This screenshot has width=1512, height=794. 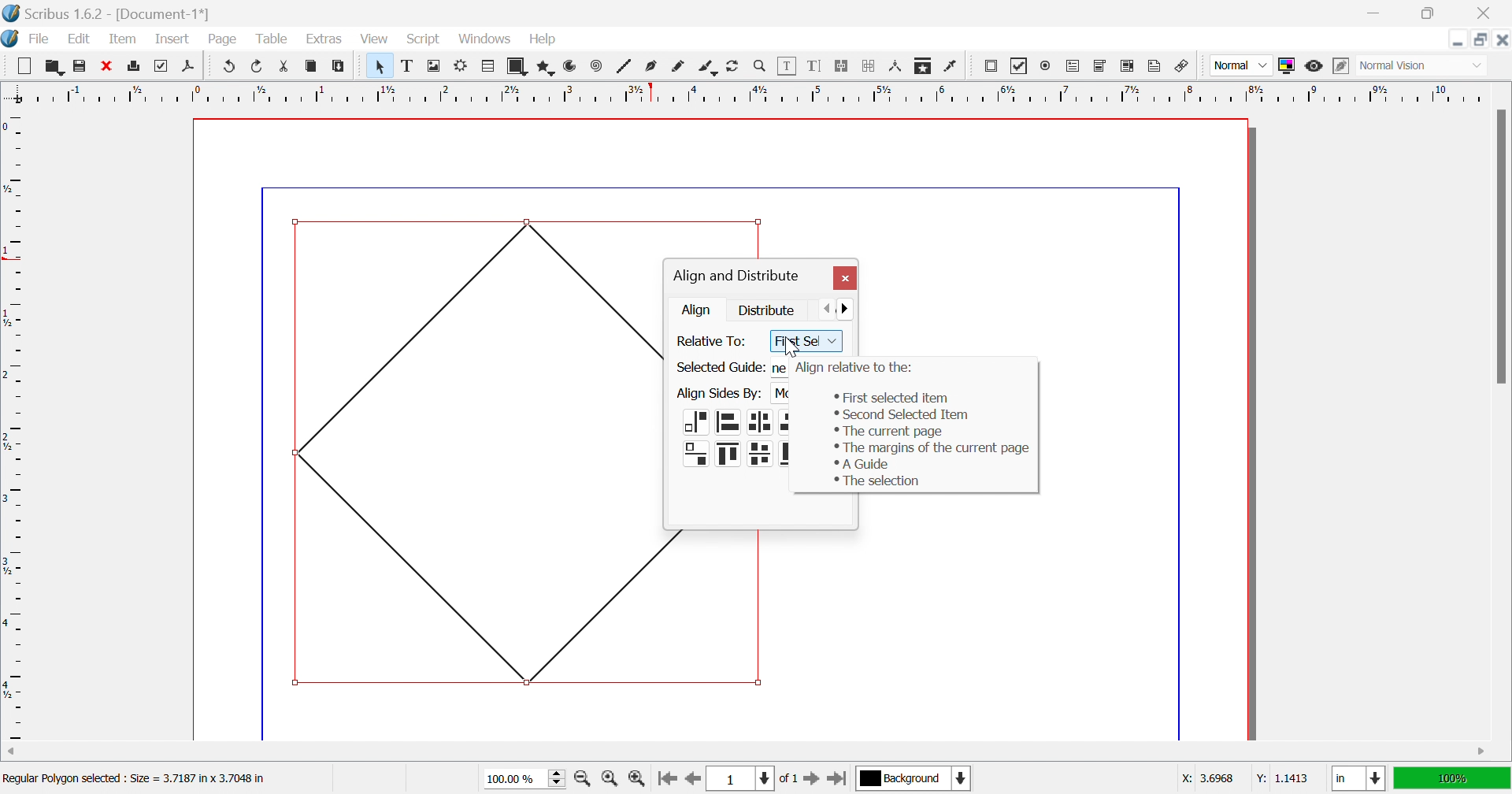 What do you see at coordinates (527, 779) in the screenshot?
I see `100.00%` at bounding box center [527, 779].